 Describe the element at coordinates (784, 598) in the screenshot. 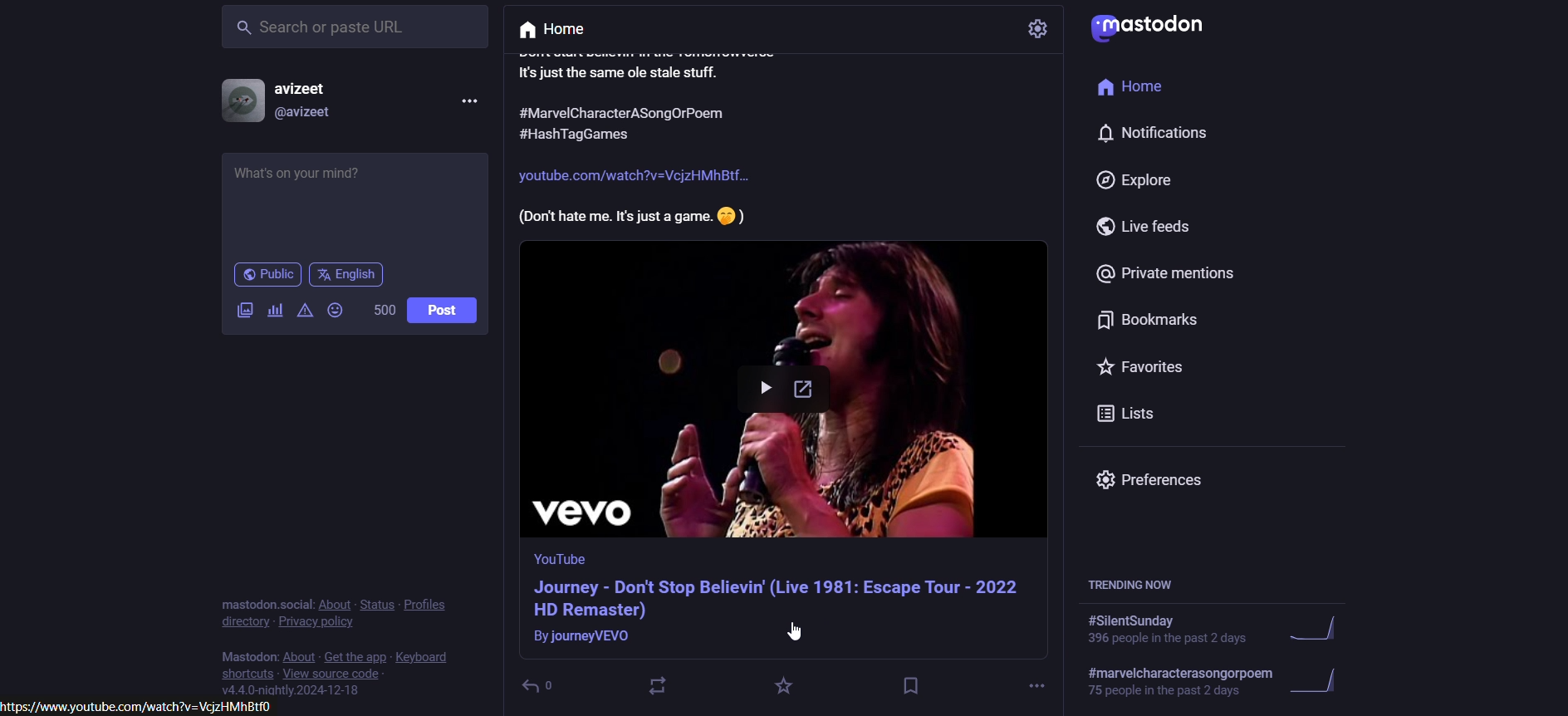

I see `video information` at that location.